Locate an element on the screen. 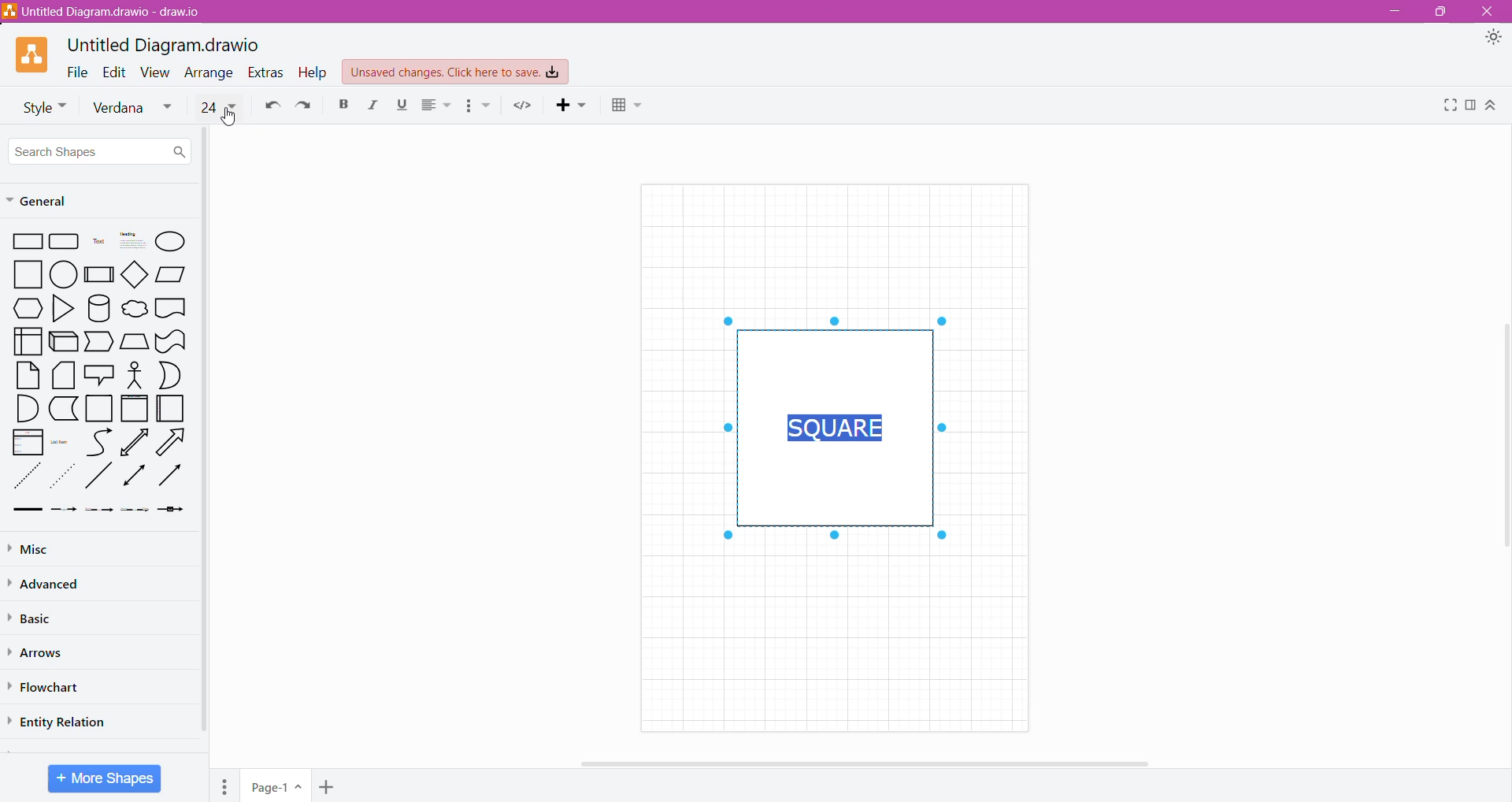 The width and height of the screenshot is (1512, 802). List box is located at coordinates (24, 444).